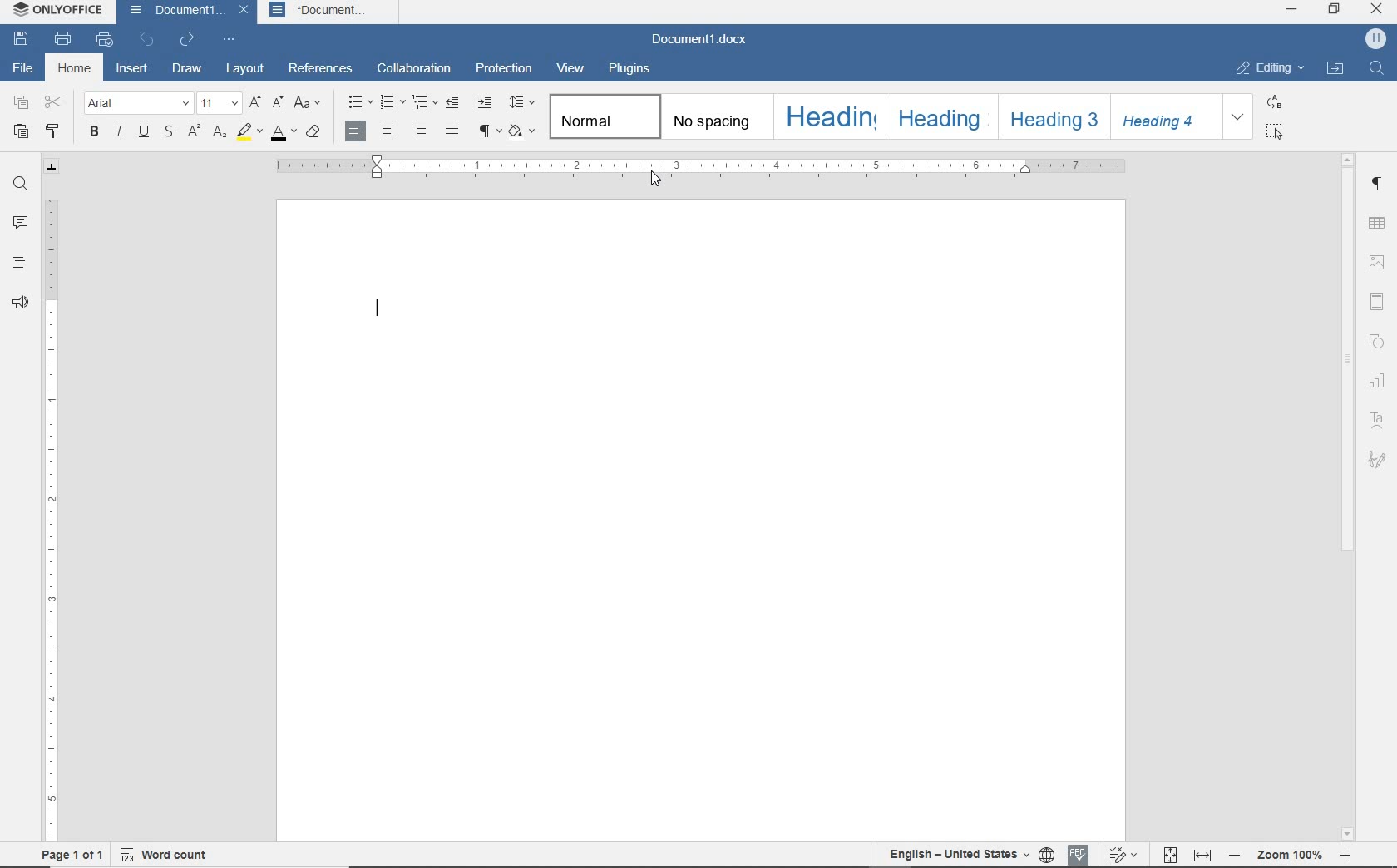  What do you see at coordinates (106, 40) in the screenshot?
I see `QUICK PRINT` at bounding box center [106, 40].